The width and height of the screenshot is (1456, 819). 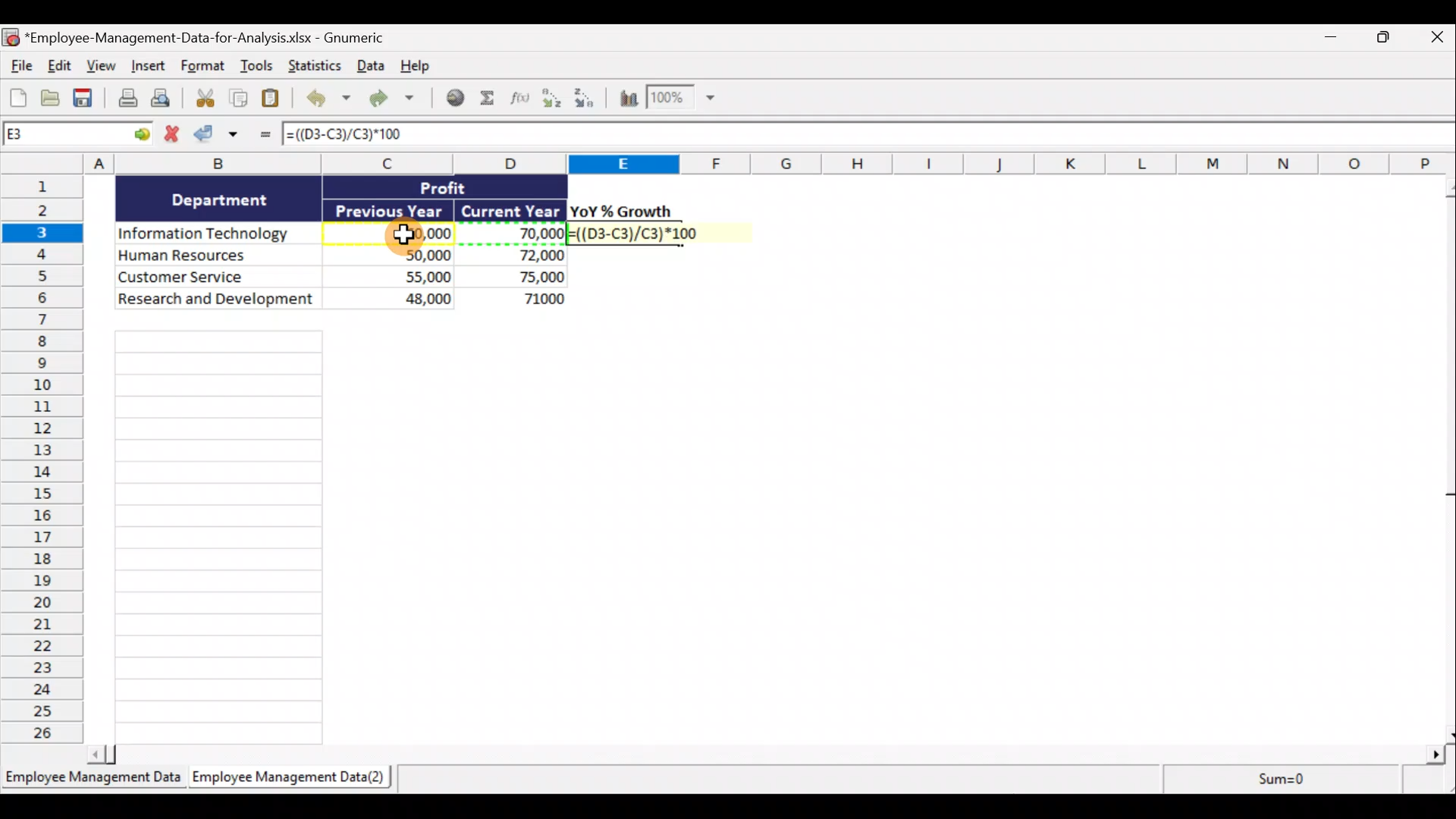 What do you see at coordinates (91, 778) in the screenshot?
I see `Sheet 1` at bounding box center [91, 778].